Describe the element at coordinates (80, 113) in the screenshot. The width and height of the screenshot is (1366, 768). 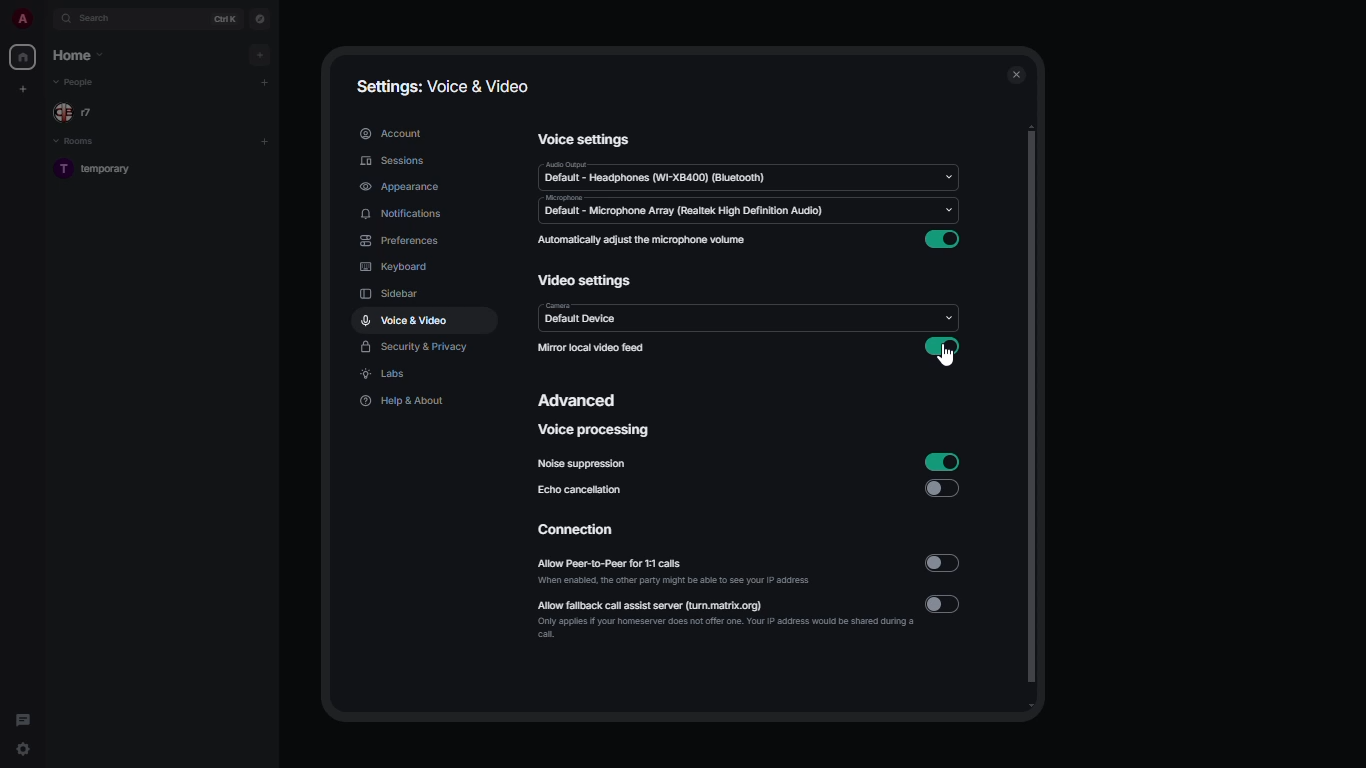
I see `people` at that location.